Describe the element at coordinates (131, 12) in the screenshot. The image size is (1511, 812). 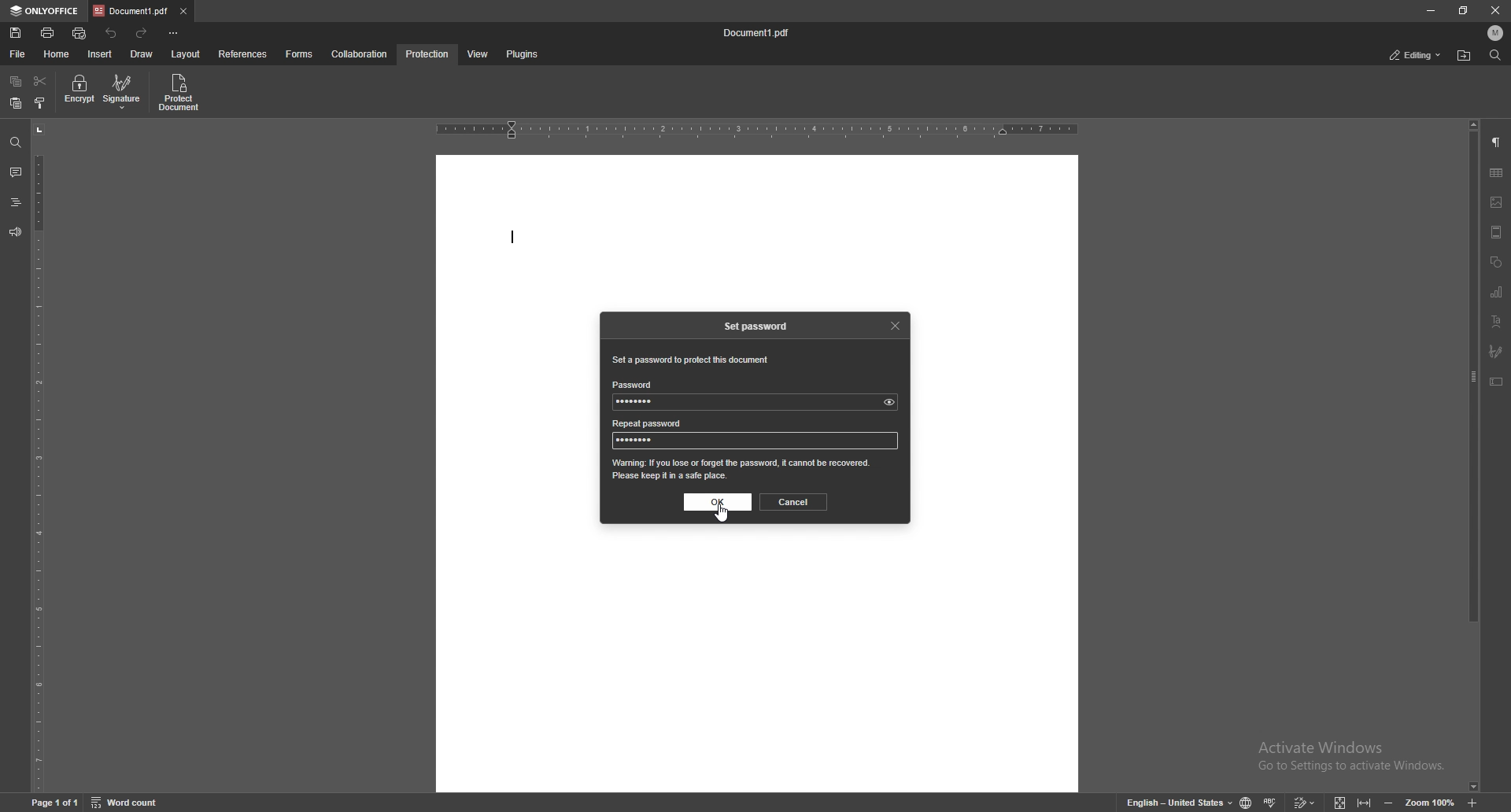
I see `tab` at that location.